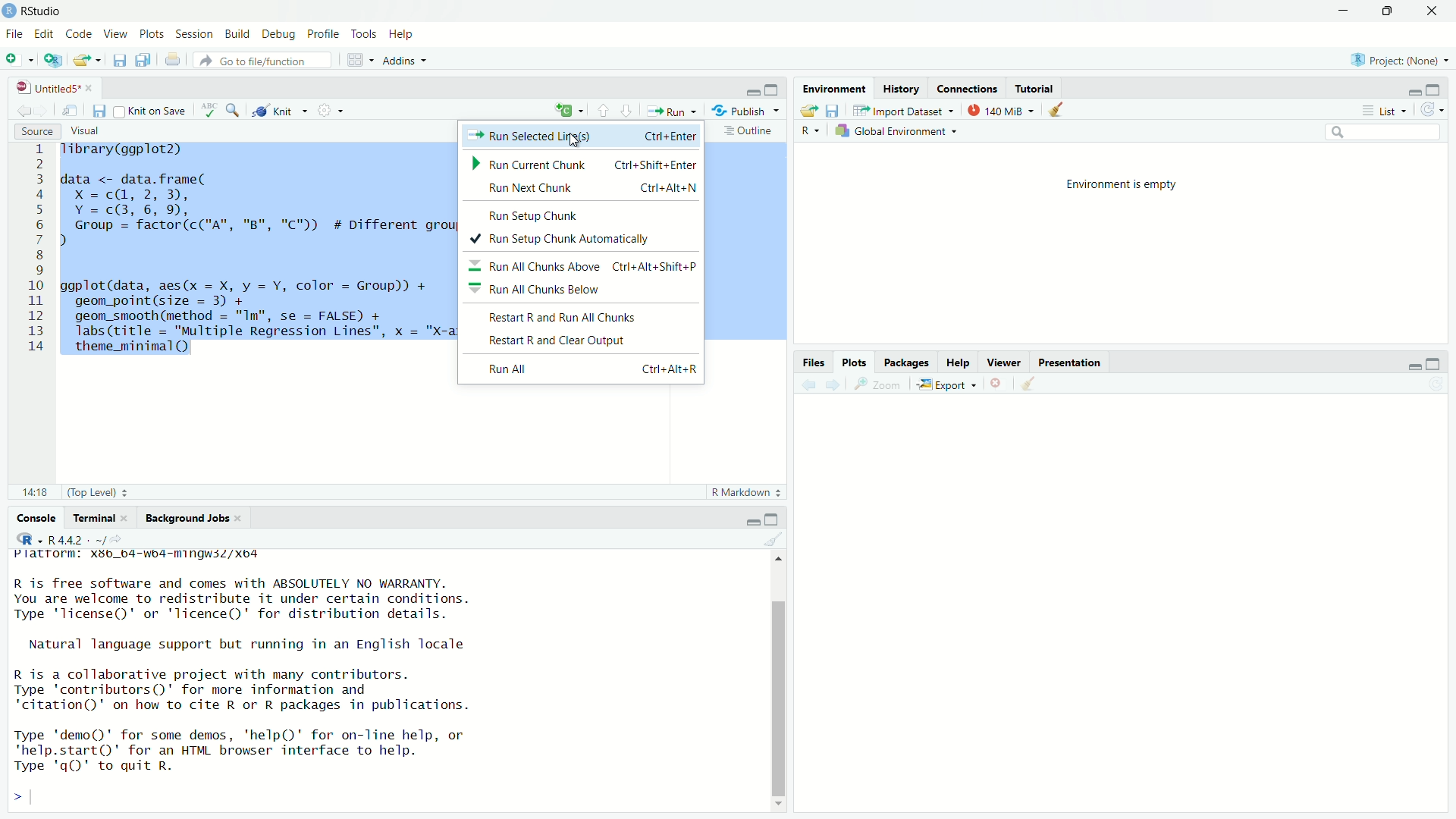 The height and width of the screenshot is (819, 1456). Describe the element at coordinates (366, 35) in the screenshot. I see `Tools` at that location.